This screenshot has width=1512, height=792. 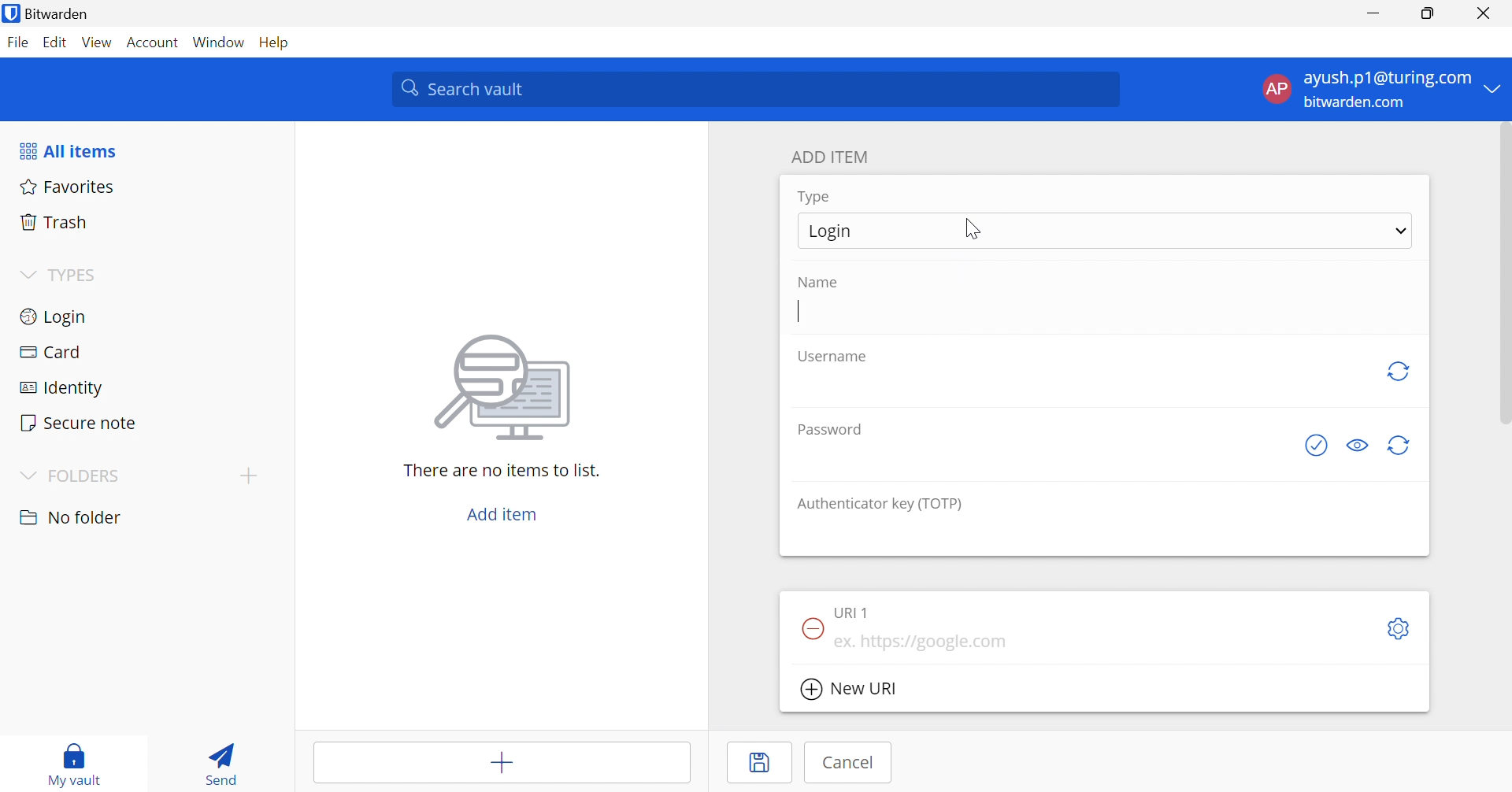 I want to click on Save, so click(x=758, y=763).